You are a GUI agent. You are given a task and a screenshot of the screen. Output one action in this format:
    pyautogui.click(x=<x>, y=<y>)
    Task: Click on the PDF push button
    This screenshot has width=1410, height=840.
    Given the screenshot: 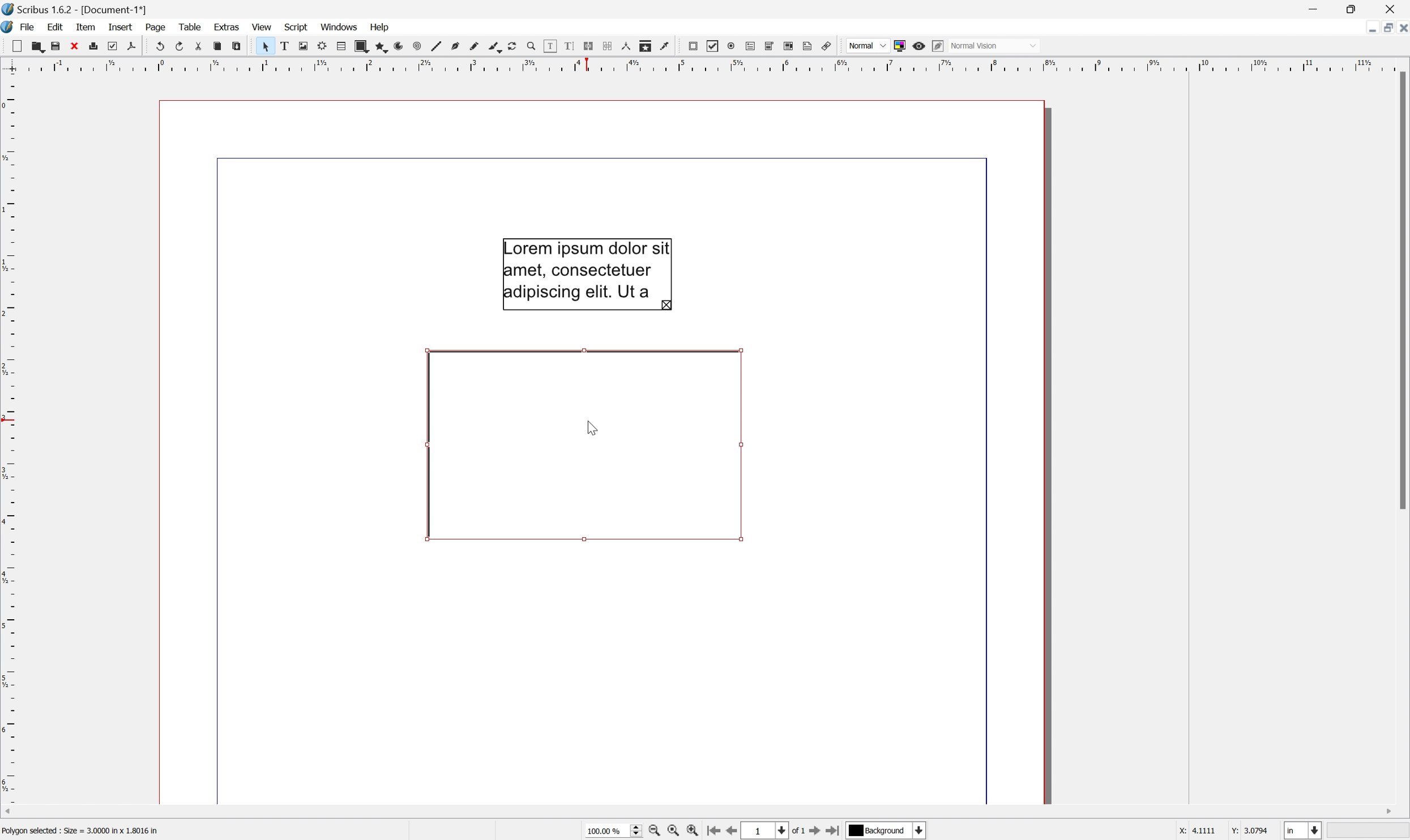 What is the action you would take?
    pyautogui.click(x=694, y=46)
    